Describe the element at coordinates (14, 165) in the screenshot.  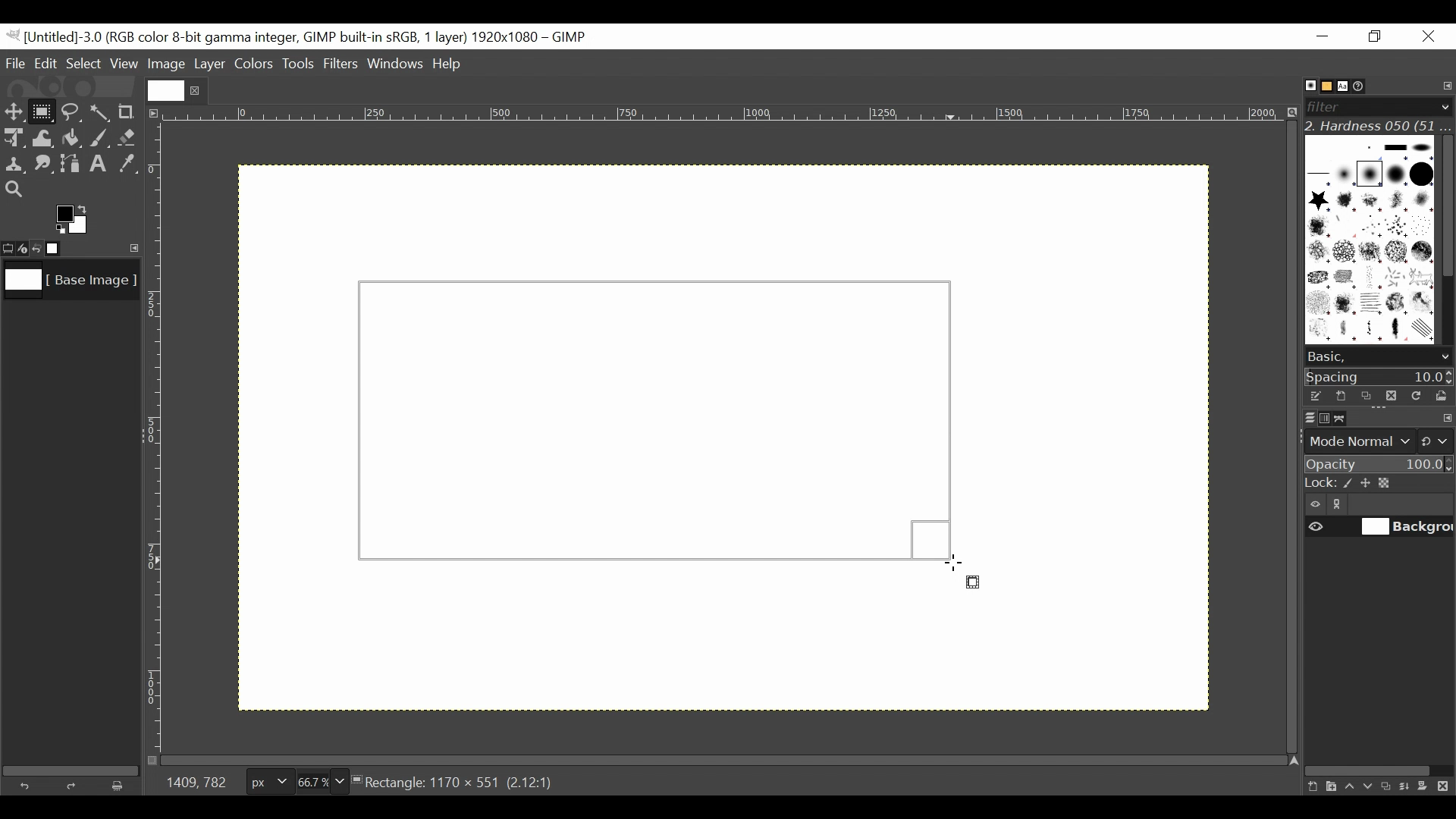
I see `Clone tool` at that location.